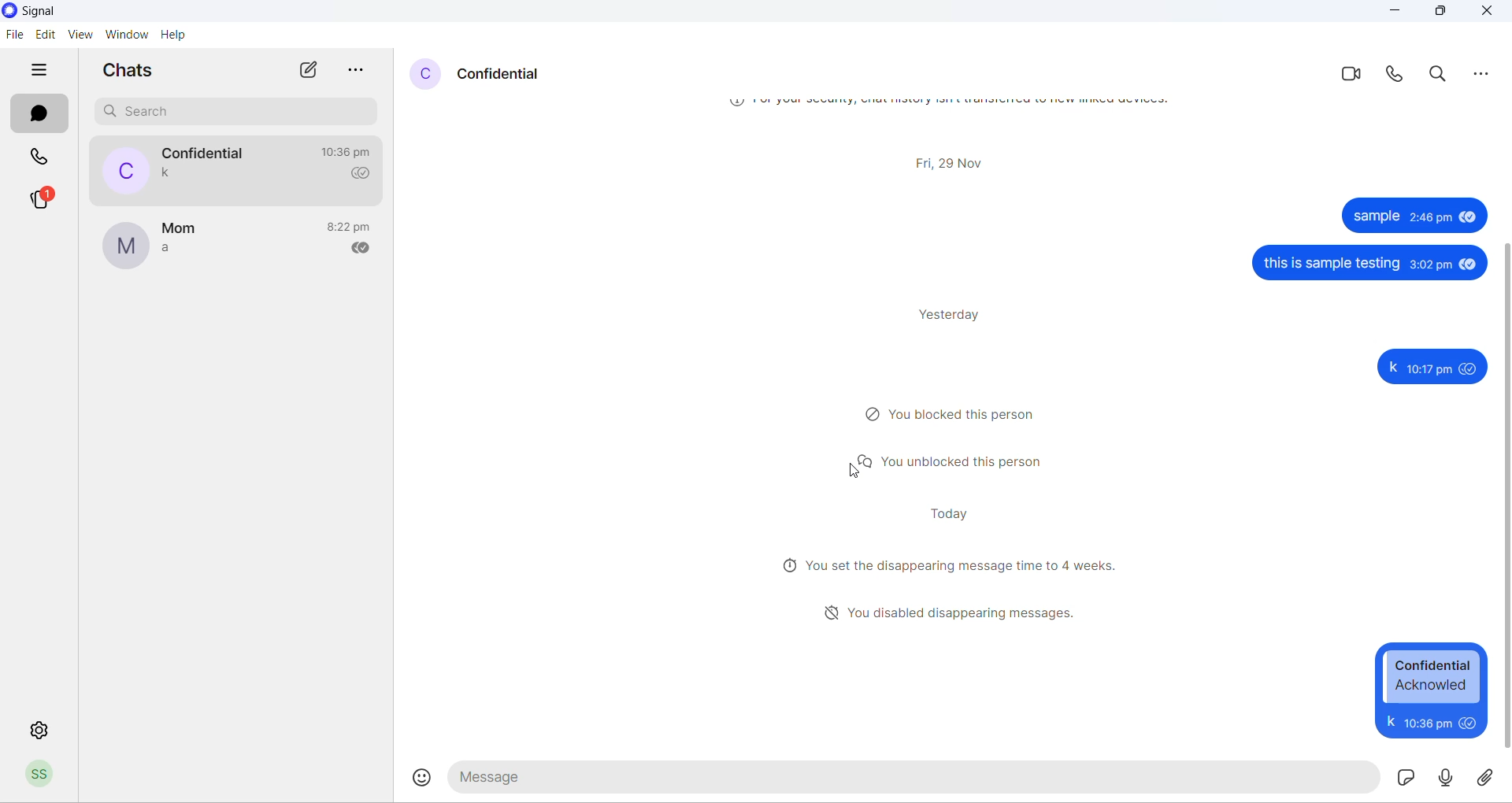 Image resolution: width=1512 pixels, height=803 pixels. What do you see at coordinates (1432, 676) in the screenshot?
I see `Confidential Acknowled` at bounding box center [1432, 676].